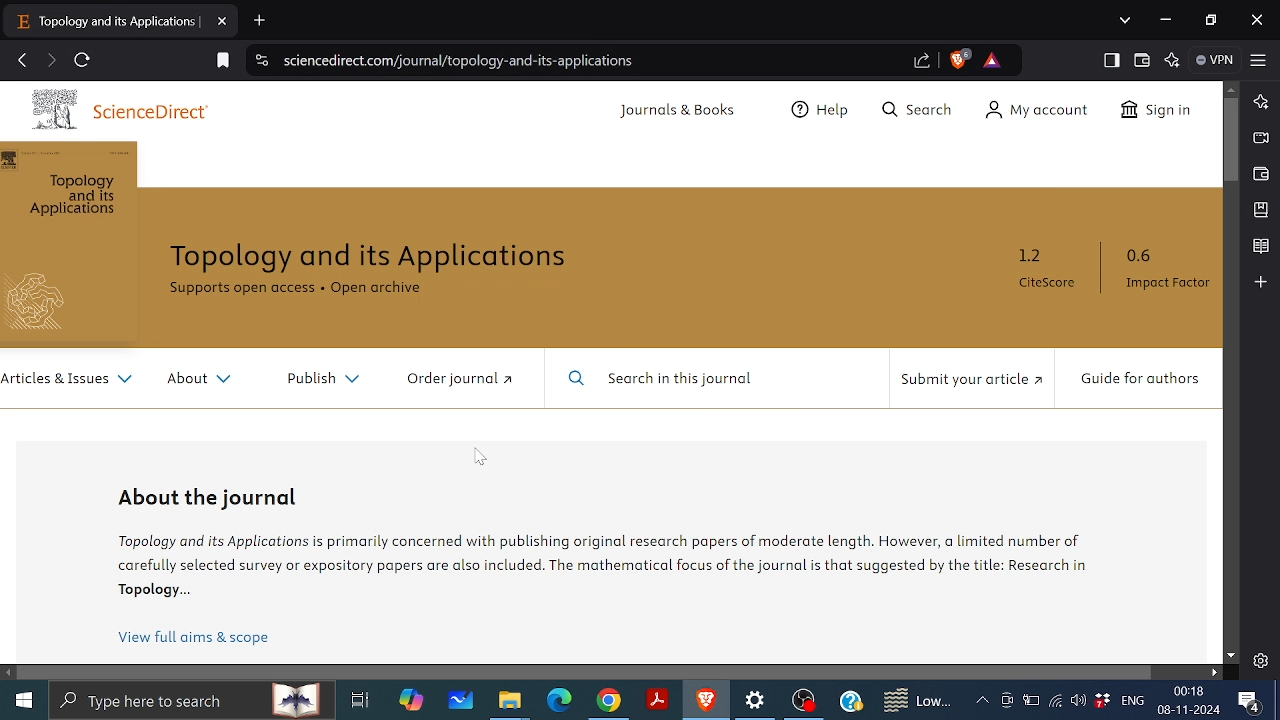 The width and height of the screenshot is (1280, 720). What do you see at coordinates (1127, 21) in the screenshot?
I see `Search tabs` at bounding box center [1127, 21].